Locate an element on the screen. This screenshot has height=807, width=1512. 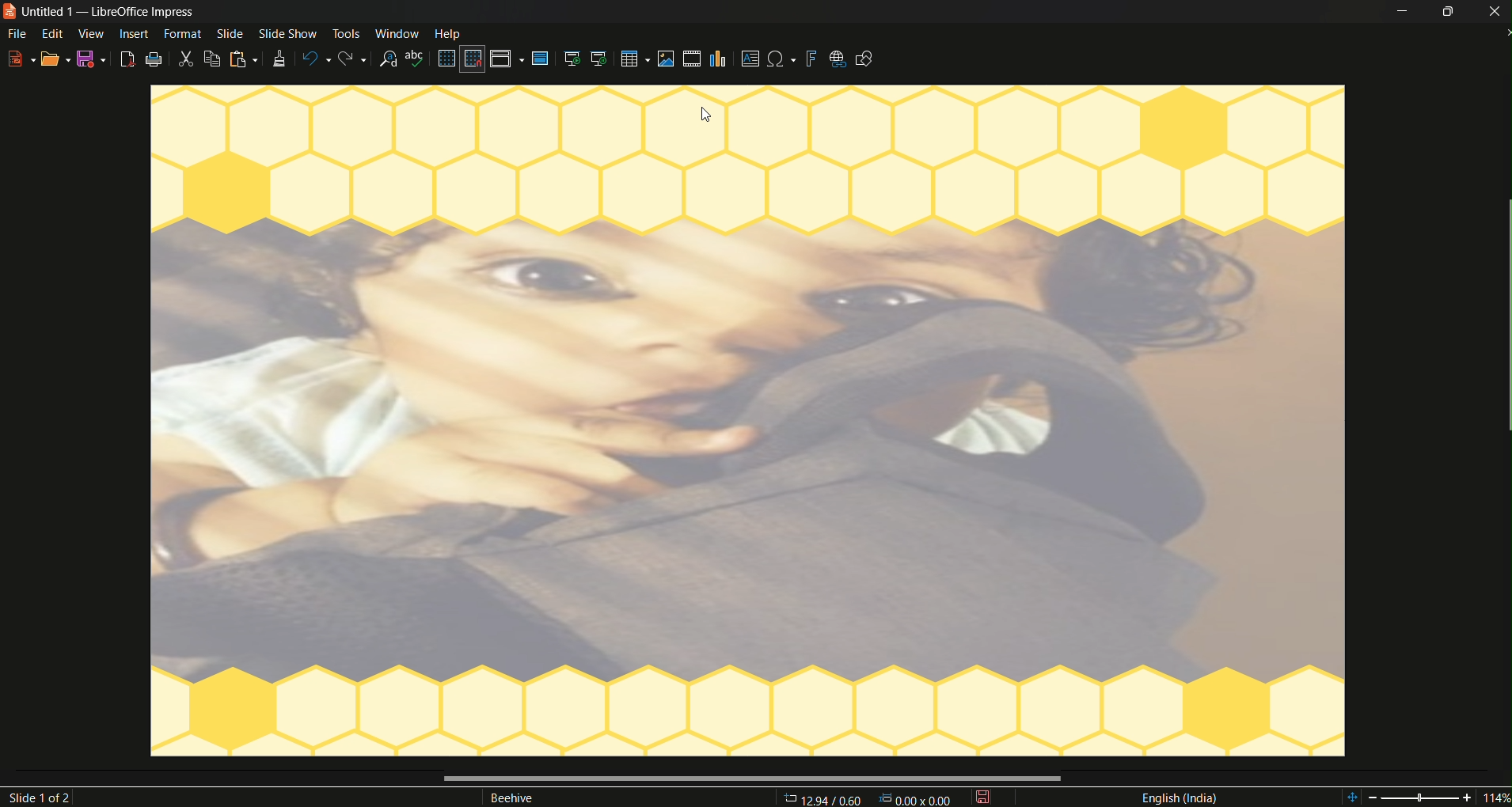
insert textbox is located at coordinates (750, 58).